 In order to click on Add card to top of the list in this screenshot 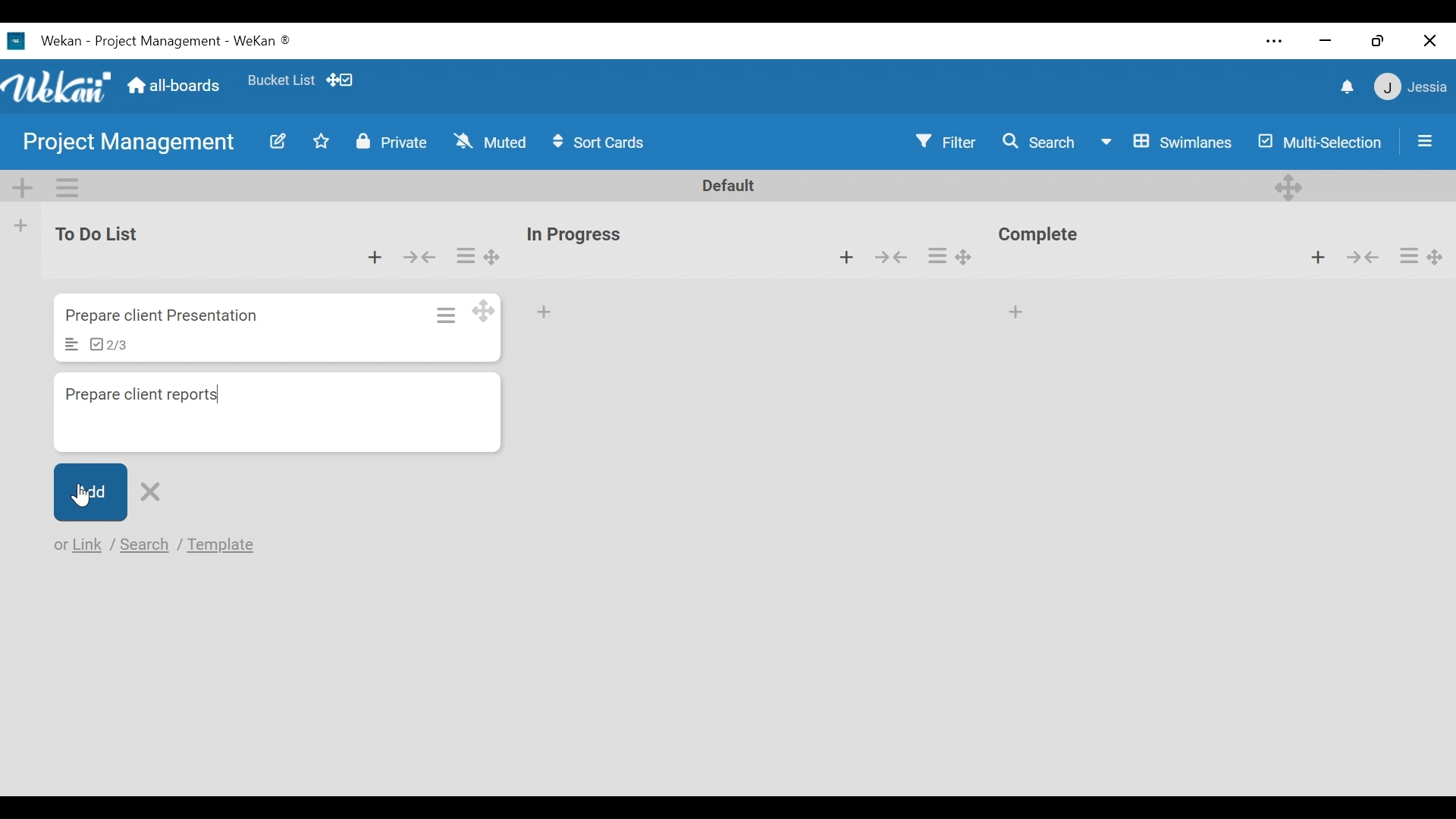, I will do `click(372, 255)`.